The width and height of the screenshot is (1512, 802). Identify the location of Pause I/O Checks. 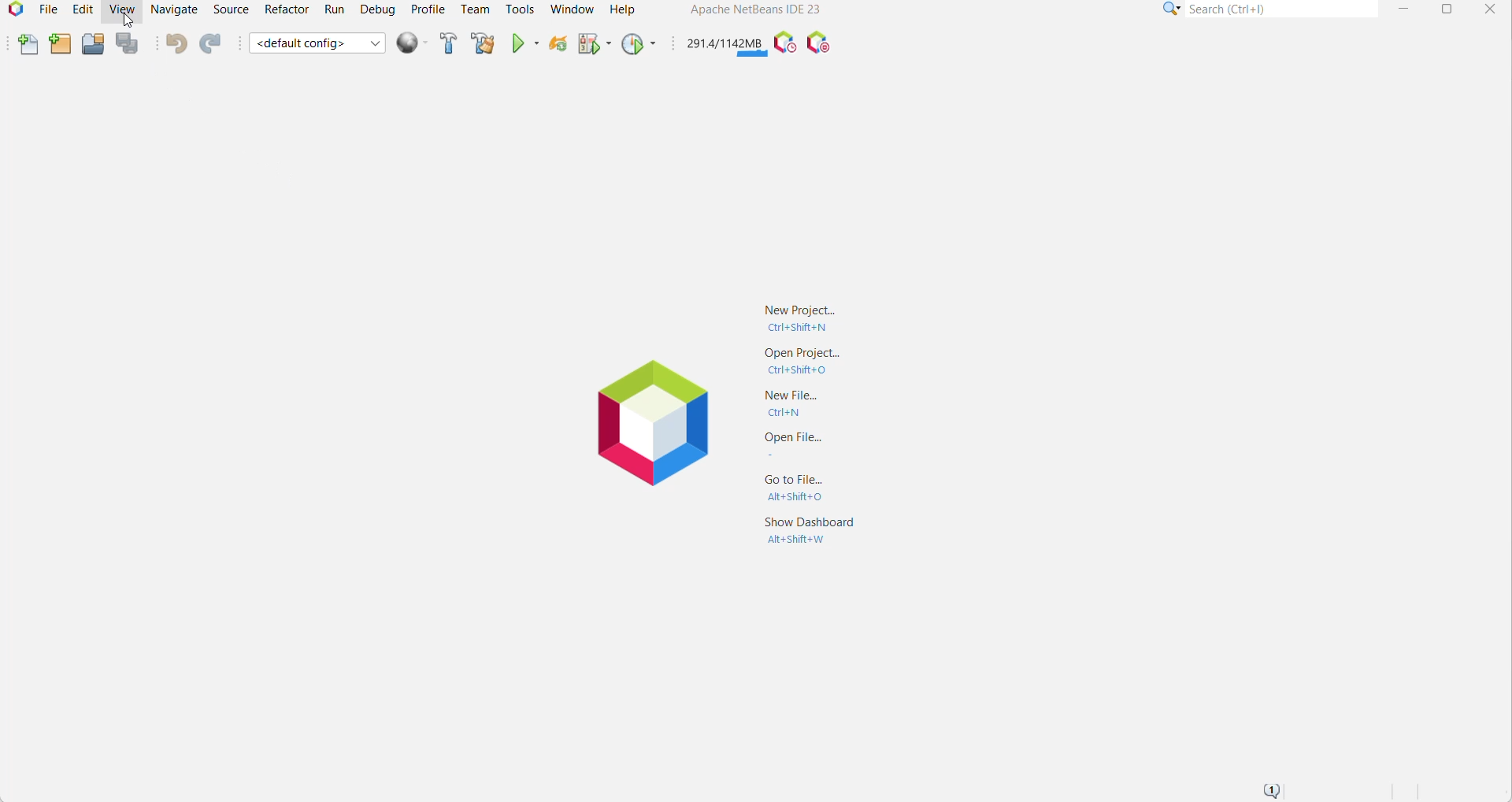
(817, 43).